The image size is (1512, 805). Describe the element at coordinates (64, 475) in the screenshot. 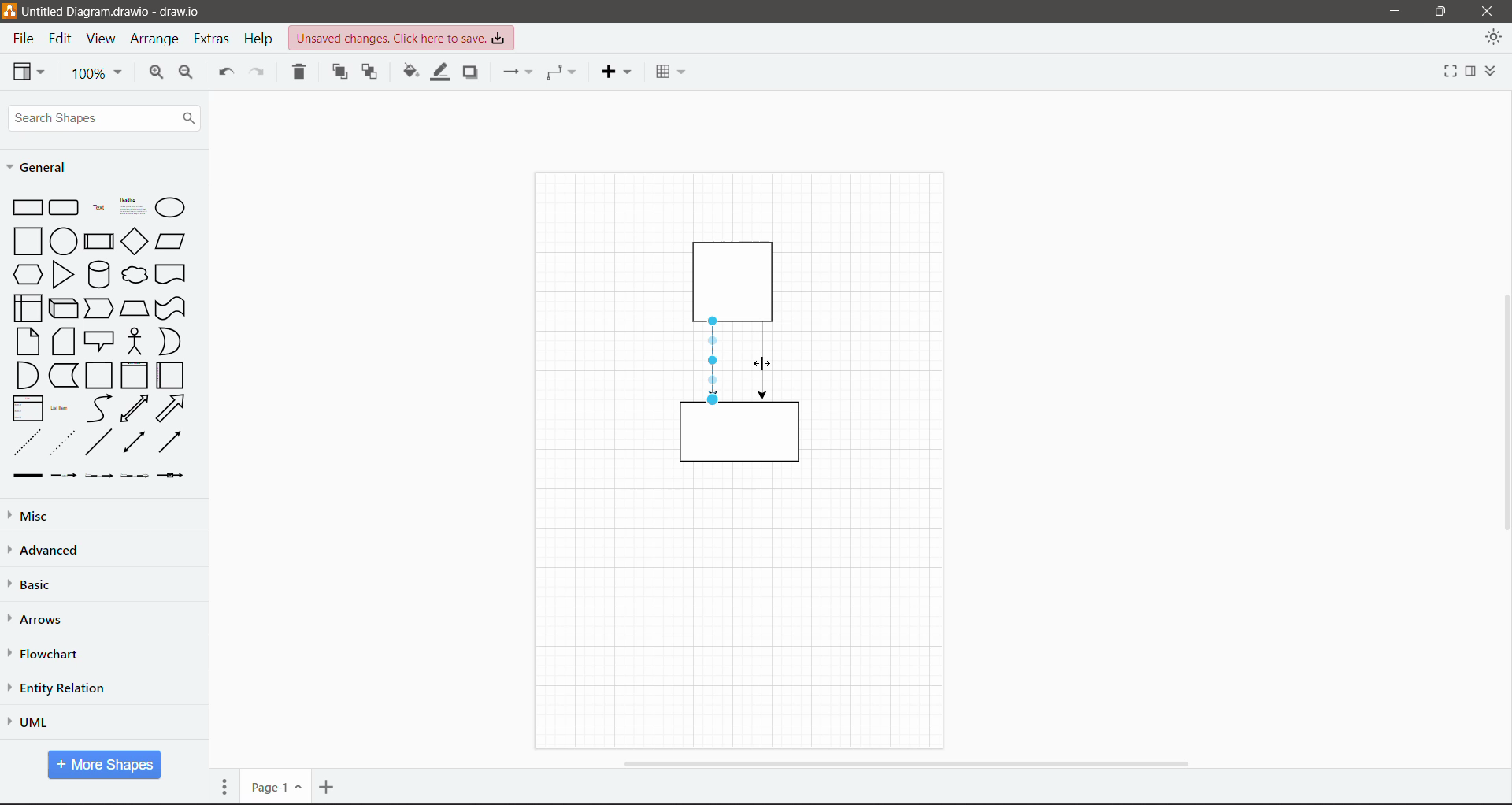

I see `connector label` at that location.